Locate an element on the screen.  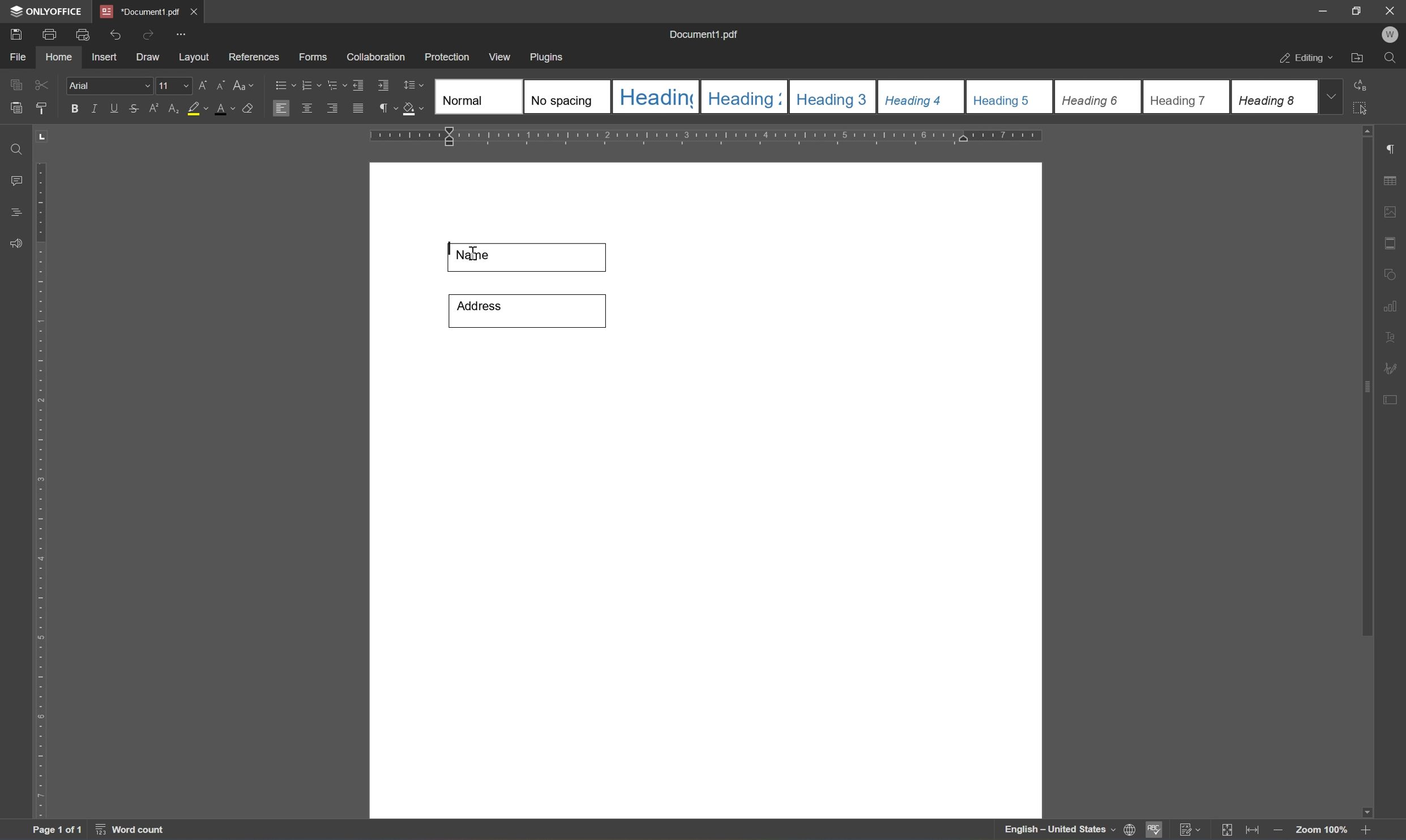
decrease indent is located at coordinates (358, 84).